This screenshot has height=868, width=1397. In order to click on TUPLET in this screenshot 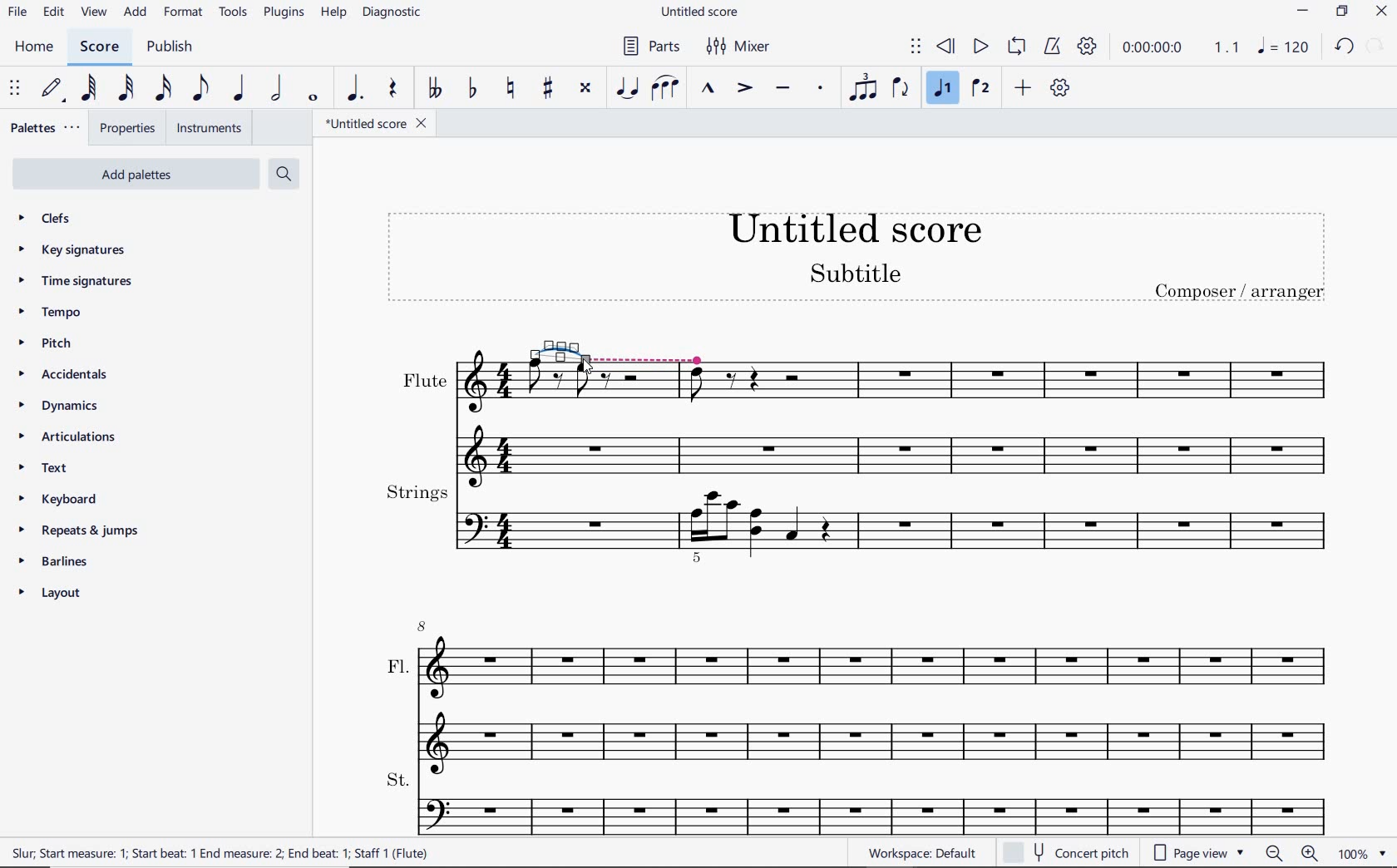, I will do `click(862, 90)`.